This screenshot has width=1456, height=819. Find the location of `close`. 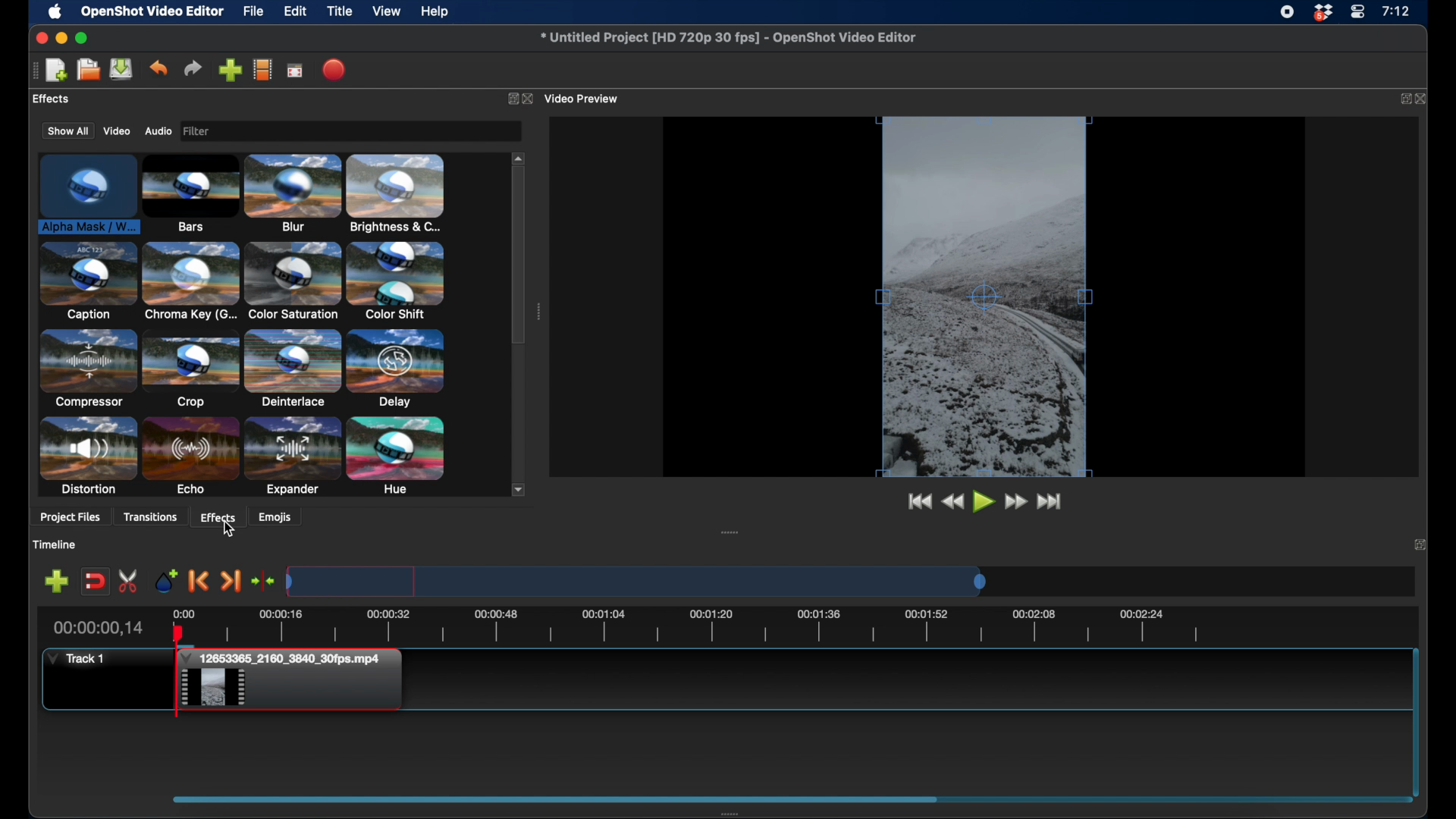

close is located at coordinates (1425, 99).